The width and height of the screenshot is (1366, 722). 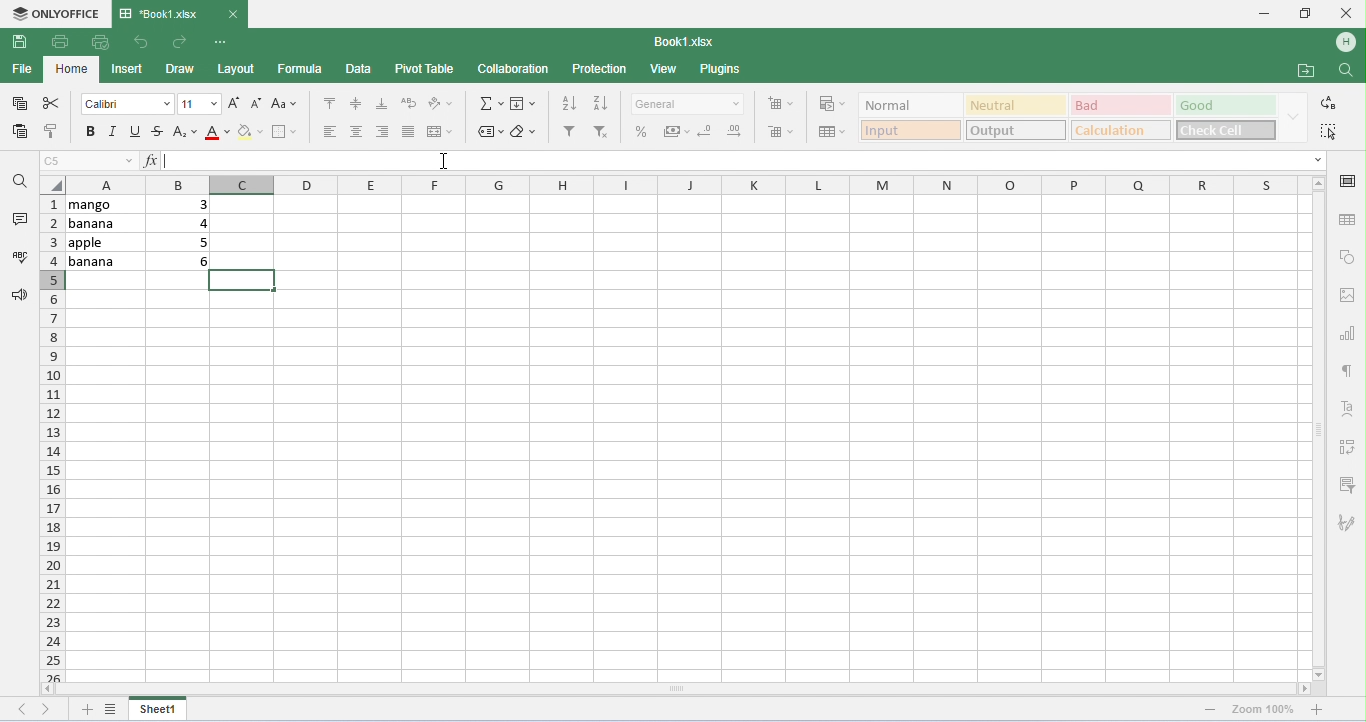 I want to click on chart settings, so click(x=1350, y=334).